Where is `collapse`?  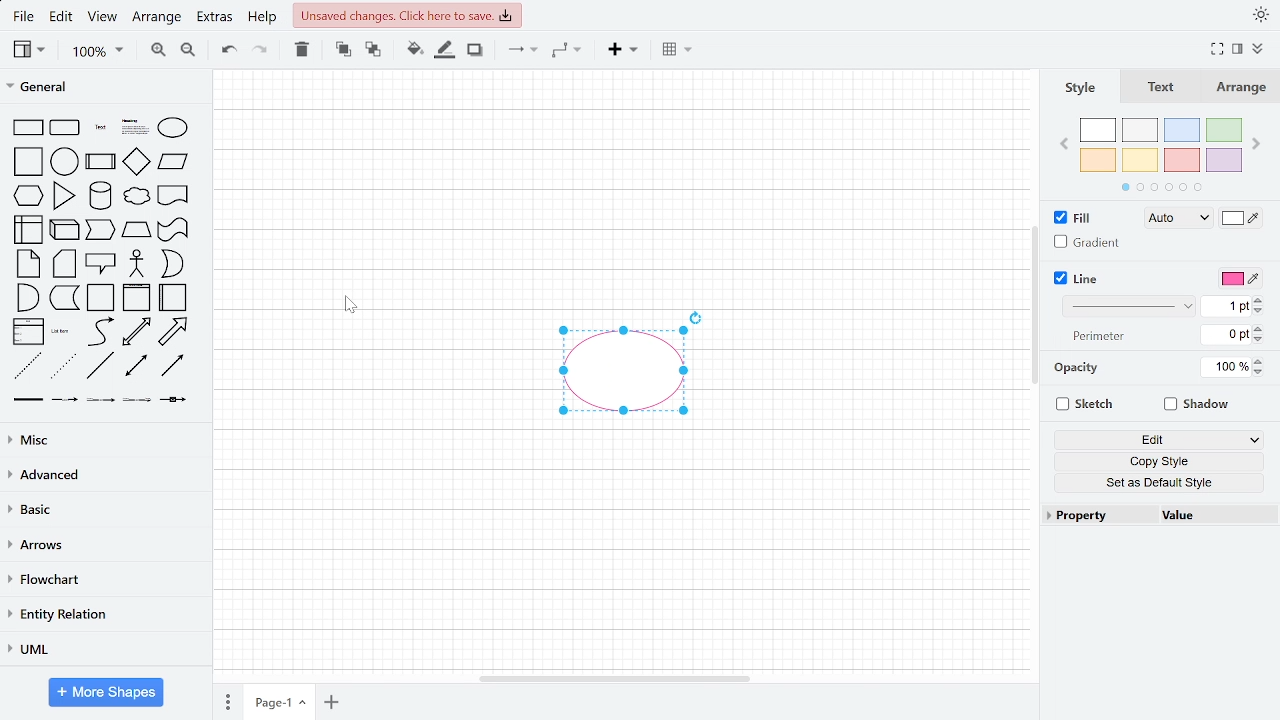
collapse is located at coordinates (1258, 49).